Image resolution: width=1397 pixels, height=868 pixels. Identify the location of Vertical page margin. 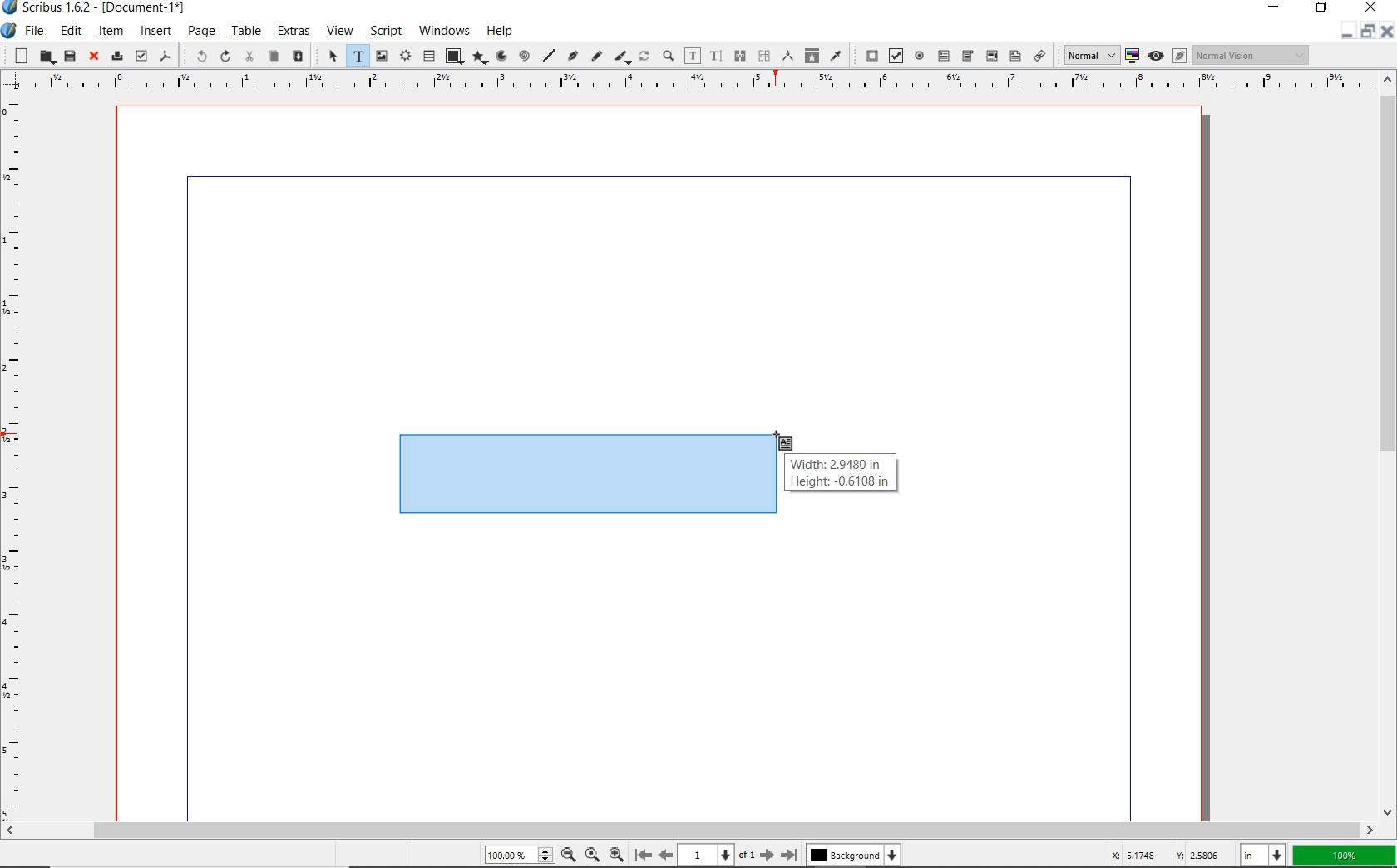
(683, 83).